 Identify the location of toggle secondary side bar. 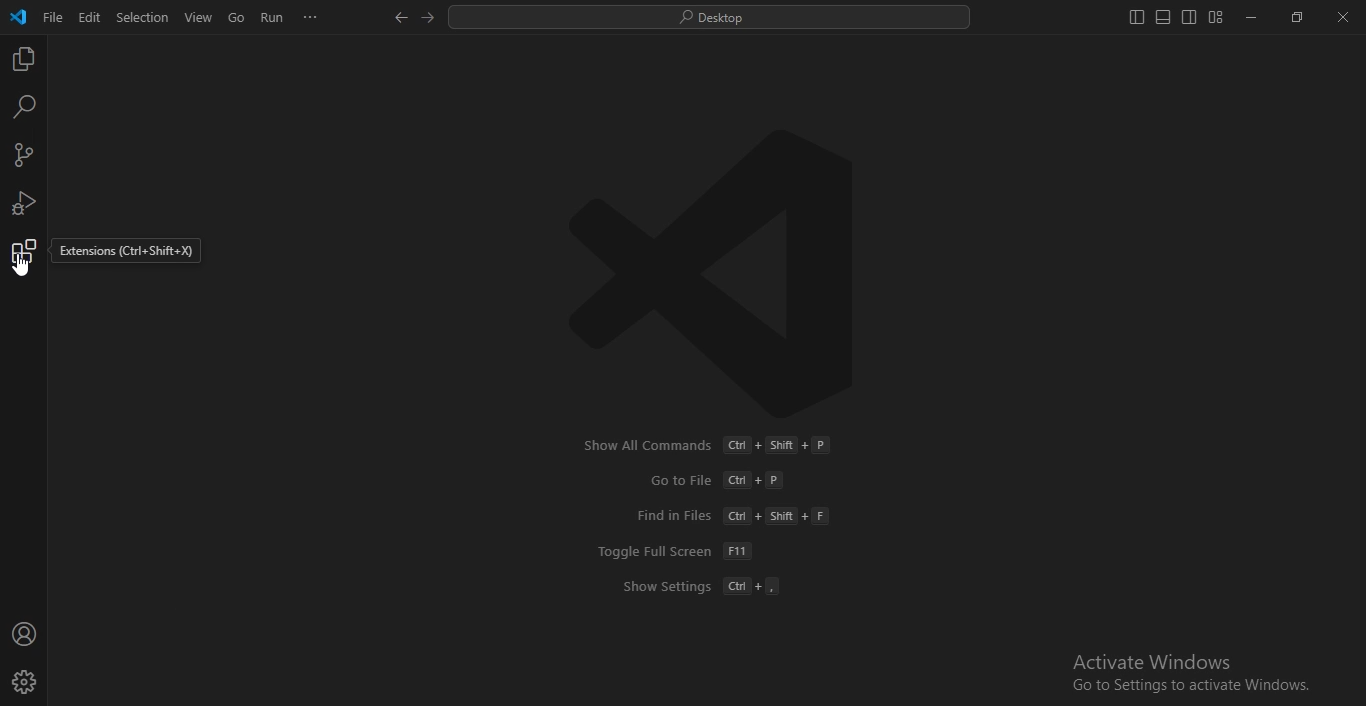
(1189, 17).